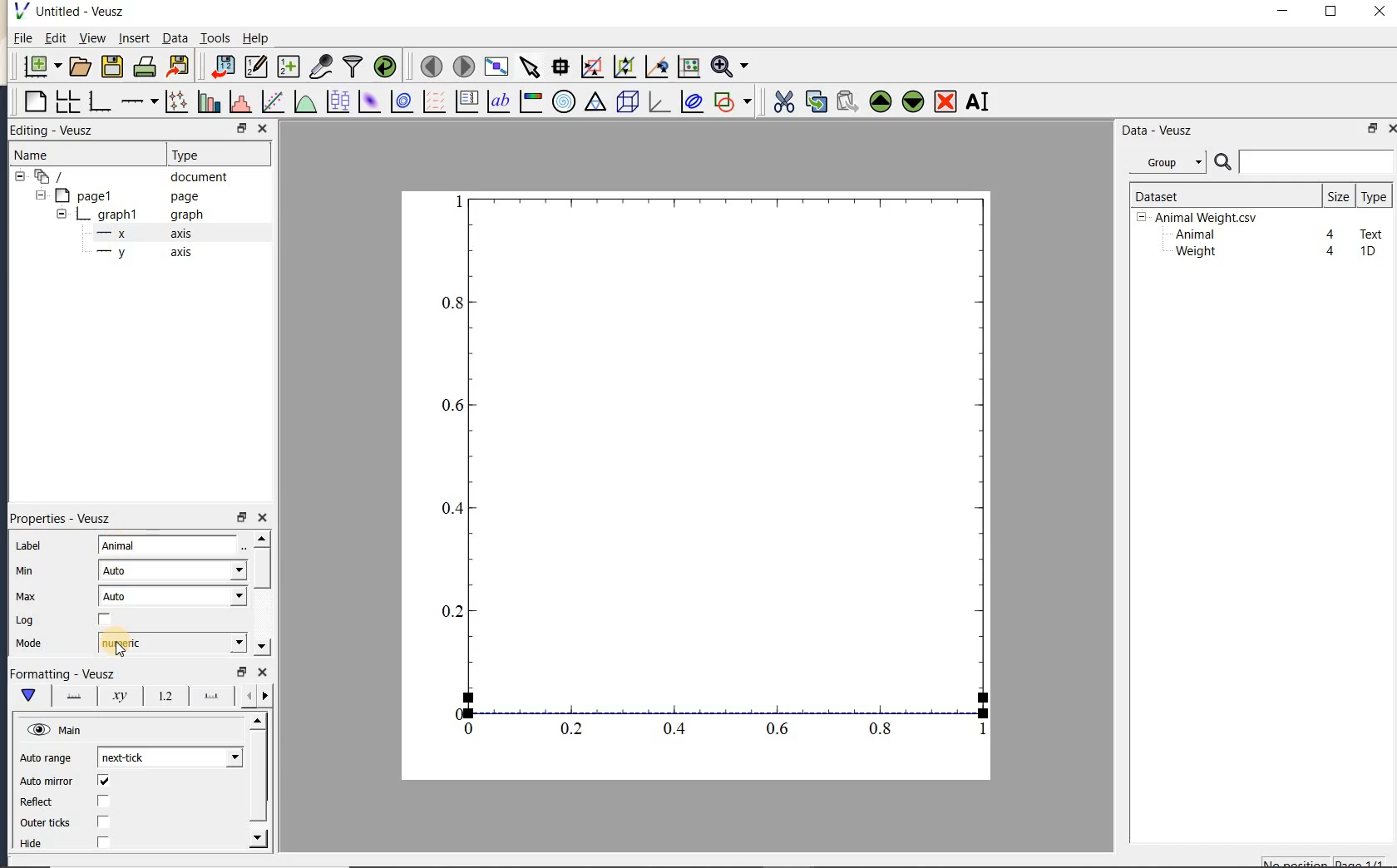 The width and height of the screenshot is (1397, 868). What do you see at coordinates (262, 128) in the screenshot?
I see `CLOSE` at bounding box center [262, 128].